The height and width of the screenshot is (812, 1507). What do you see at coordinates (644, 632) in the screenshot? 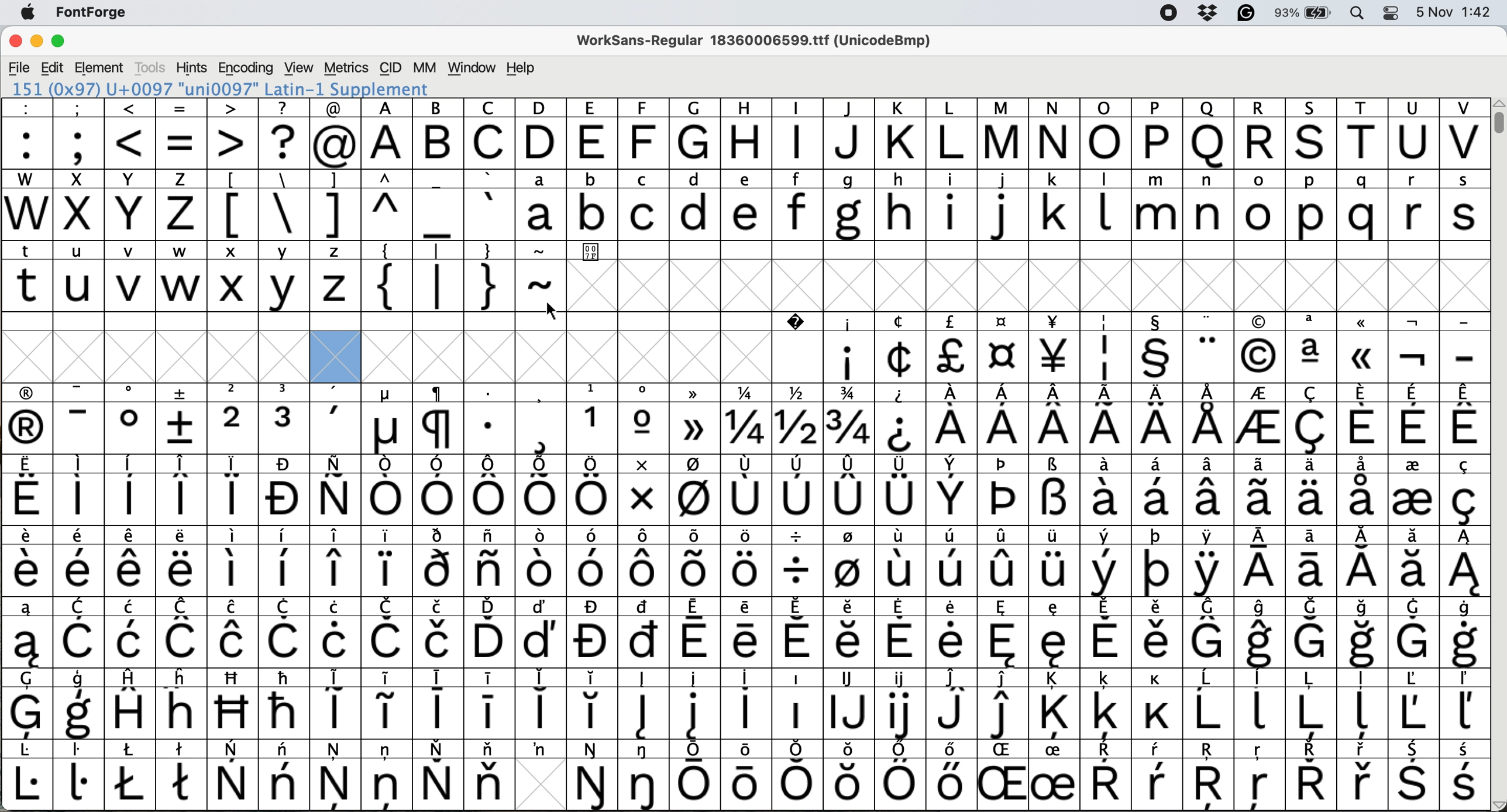
I see `symbol` at bounding box center [644, 632].